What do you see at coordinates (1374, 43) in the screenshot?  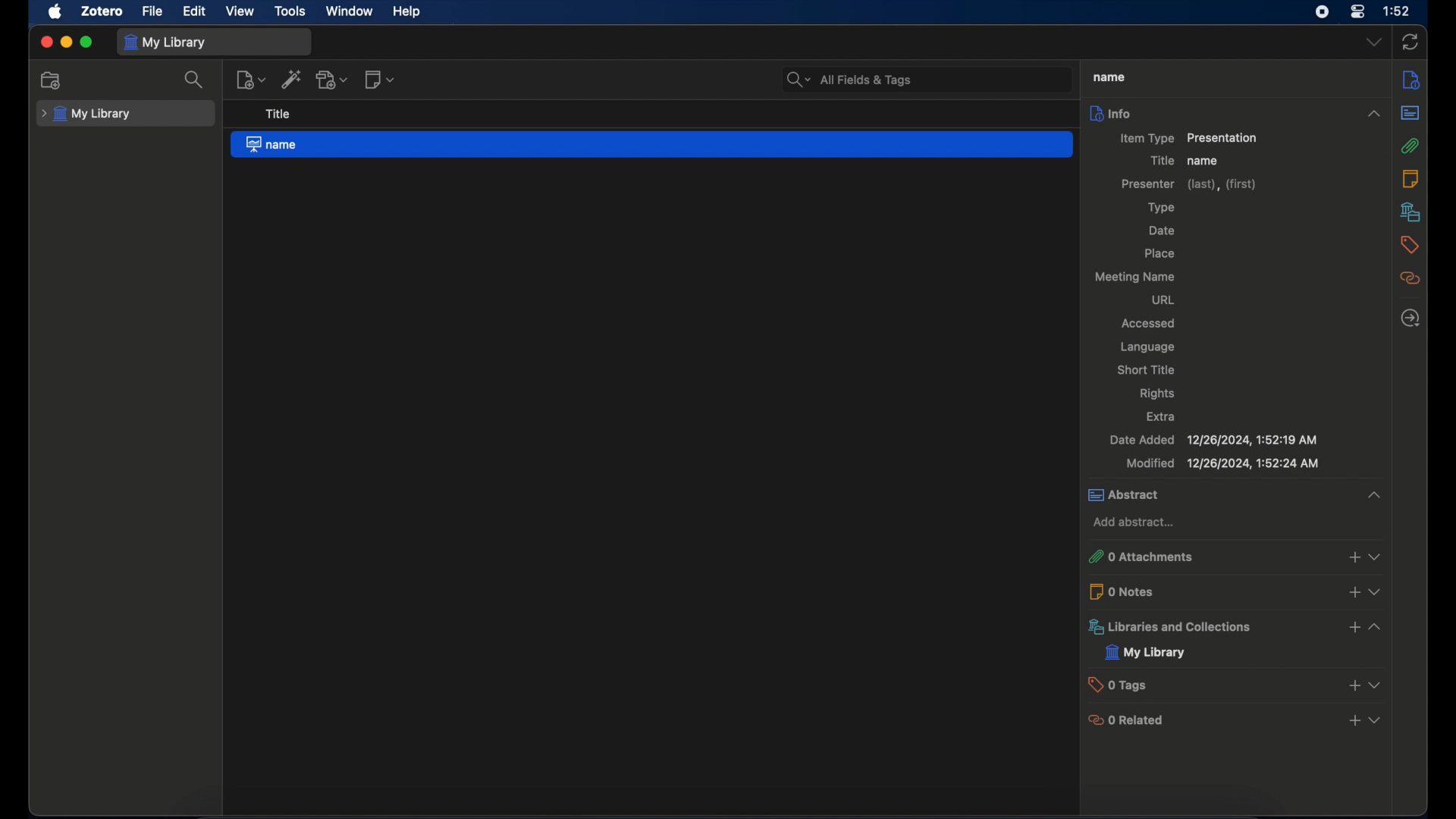 I see `dropdown` at bounding box center [1374, 43].